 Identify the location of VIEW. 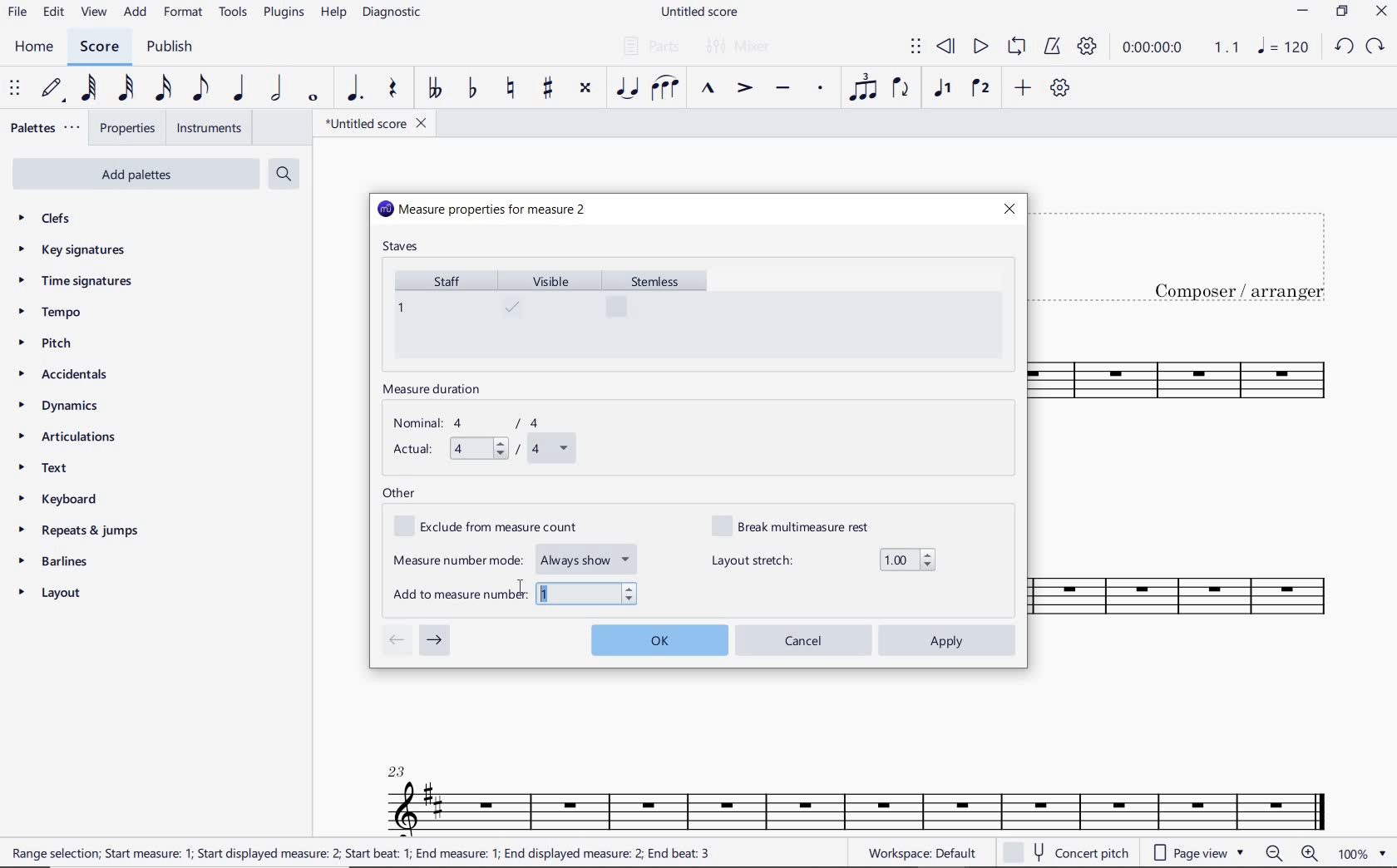
(94, 13).